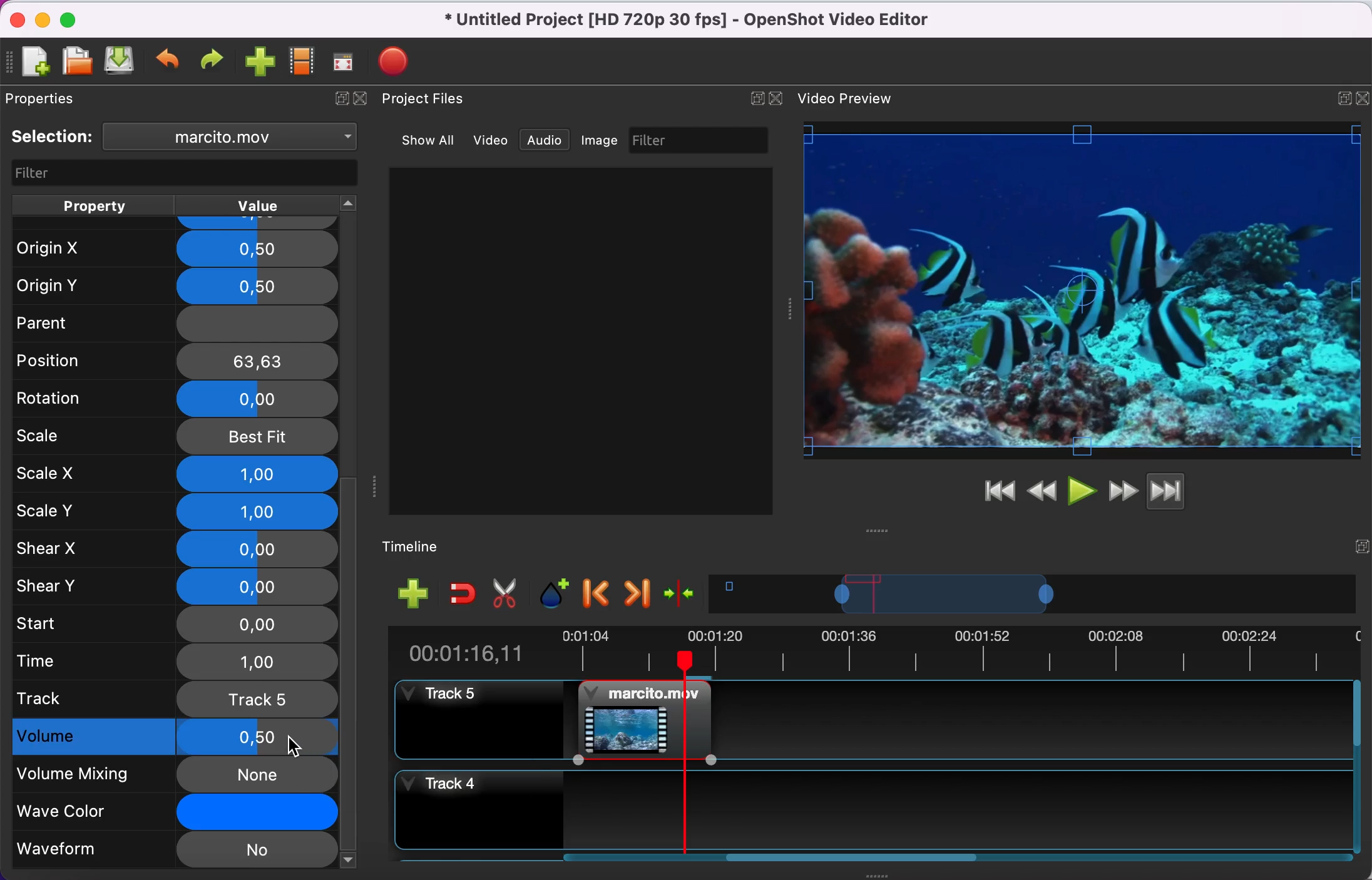 This screenshot has height=880, width=1372. Describe the element at coordinates (397, 58) in the screenshot. I see `export file` at that location.